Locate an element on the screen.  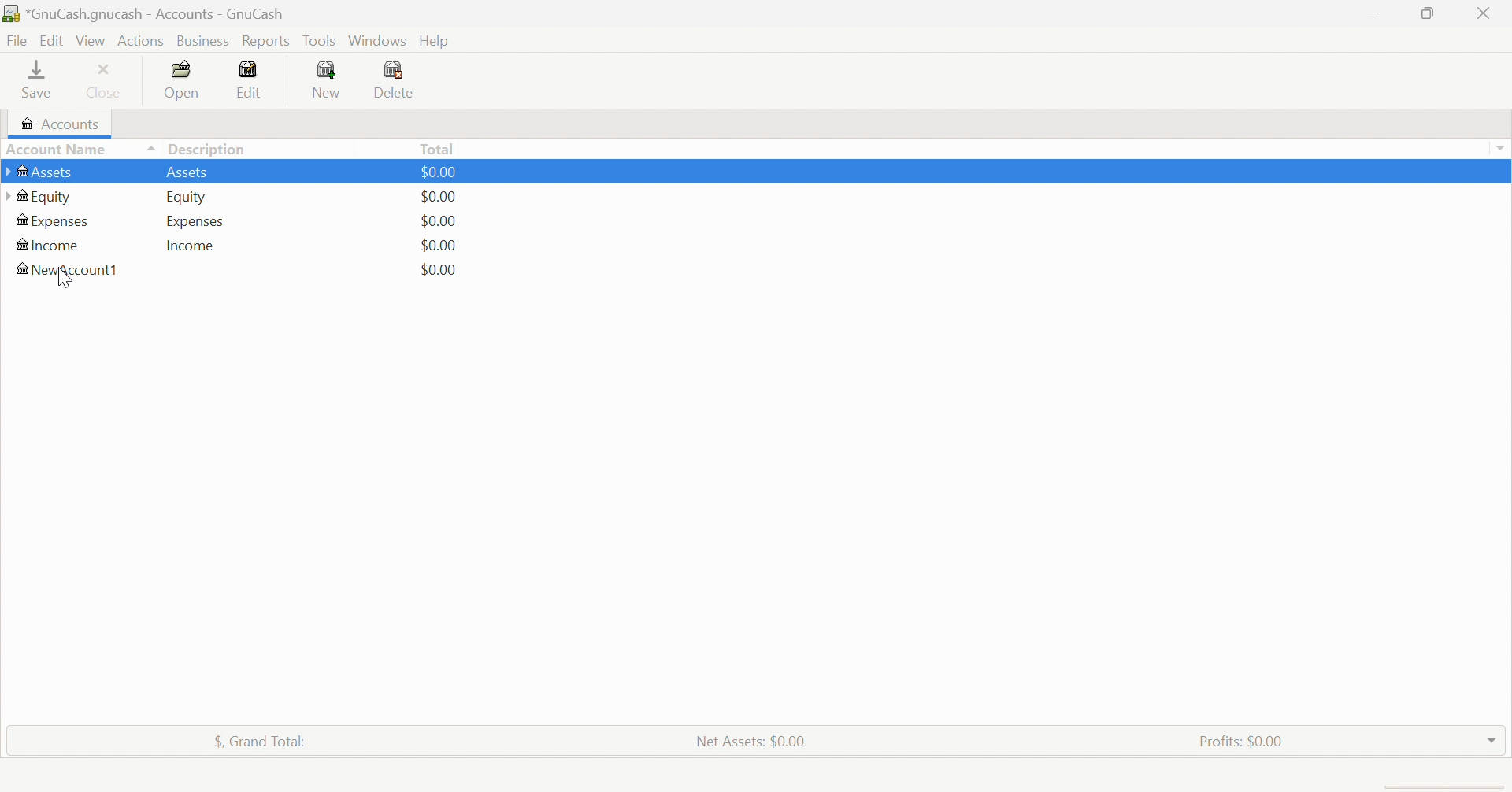
Expenses is located at coordinates (193, 220).